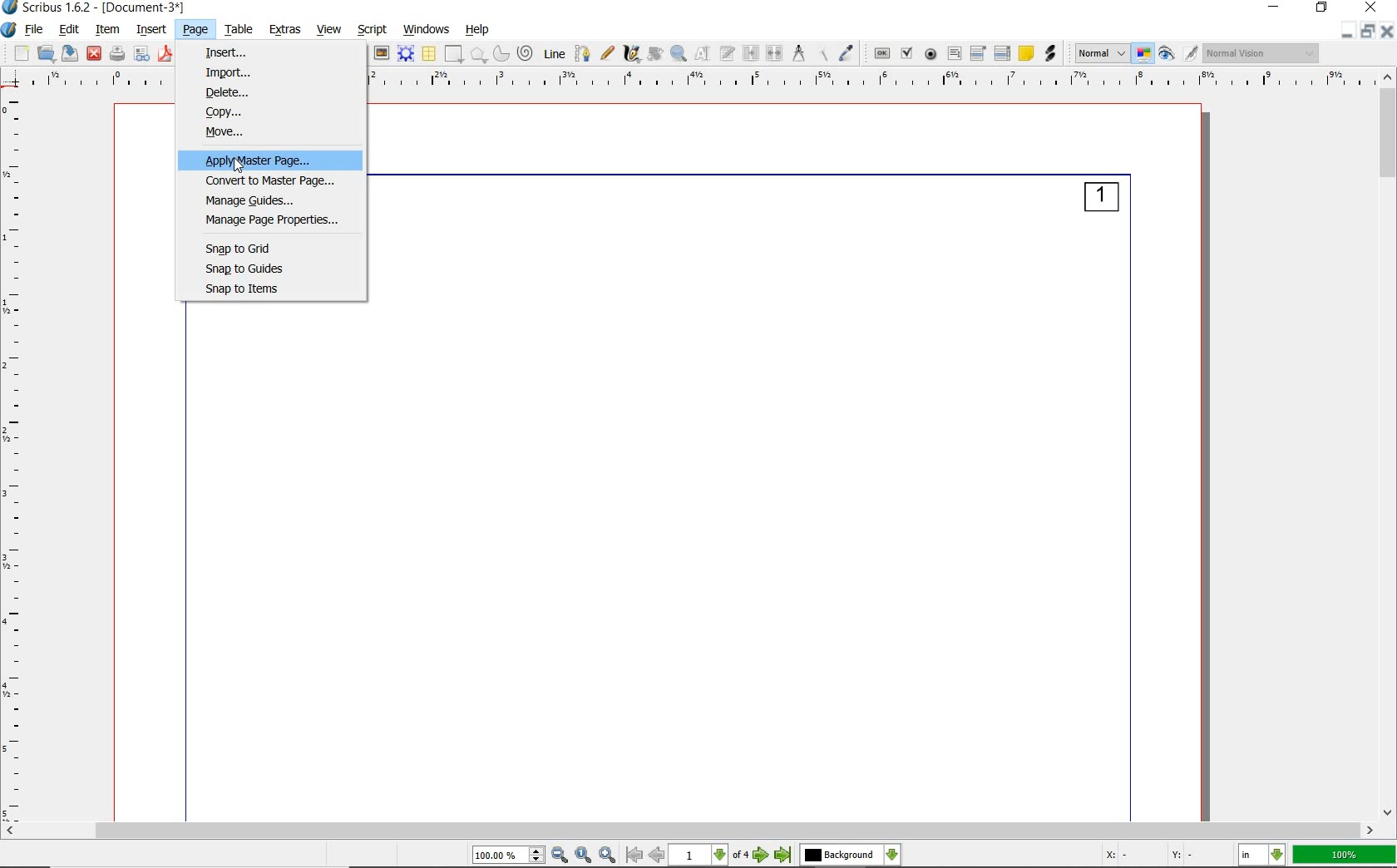 Image resolution: width=1397 pixels, height=868 pixels. What do you see at coordinates (783, 856) in the screenshot?
I see `go to last page` at bounding box center [783, 856].